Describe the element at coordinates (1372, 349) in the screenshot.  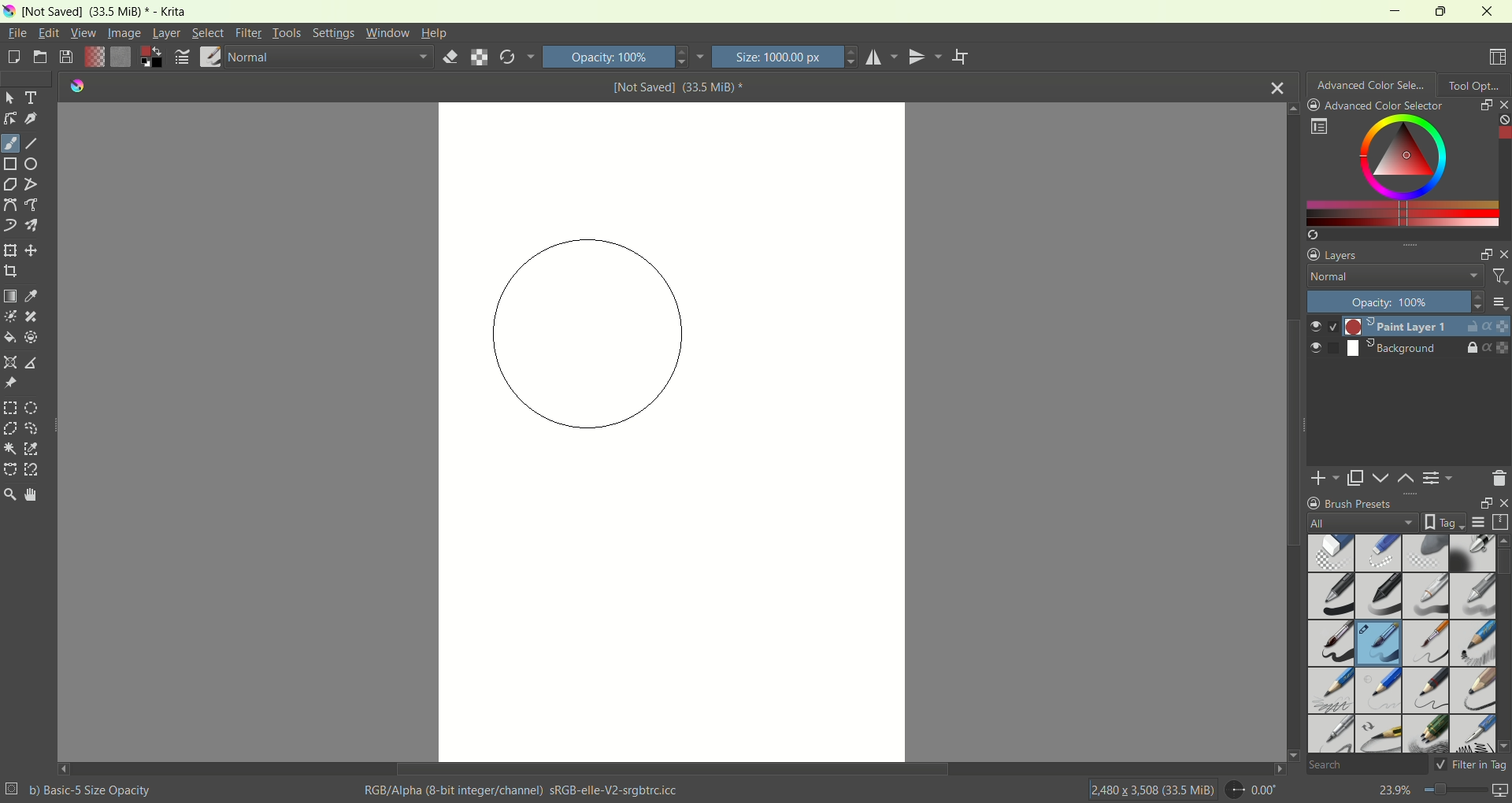
I see `Background` at that location.